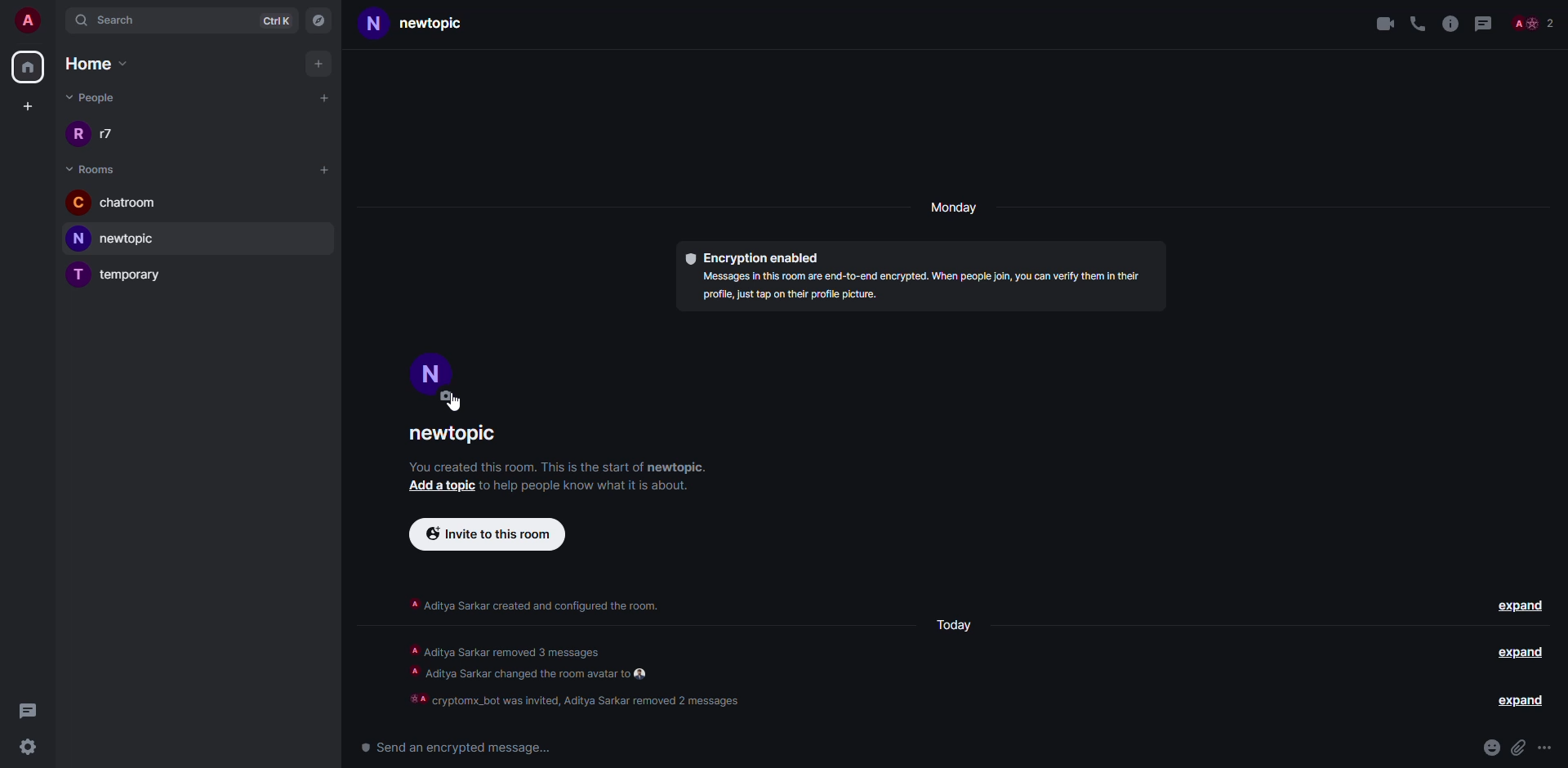  Describe the element at coordinates (324, 98) in the screenshot. I see `add` at that location.